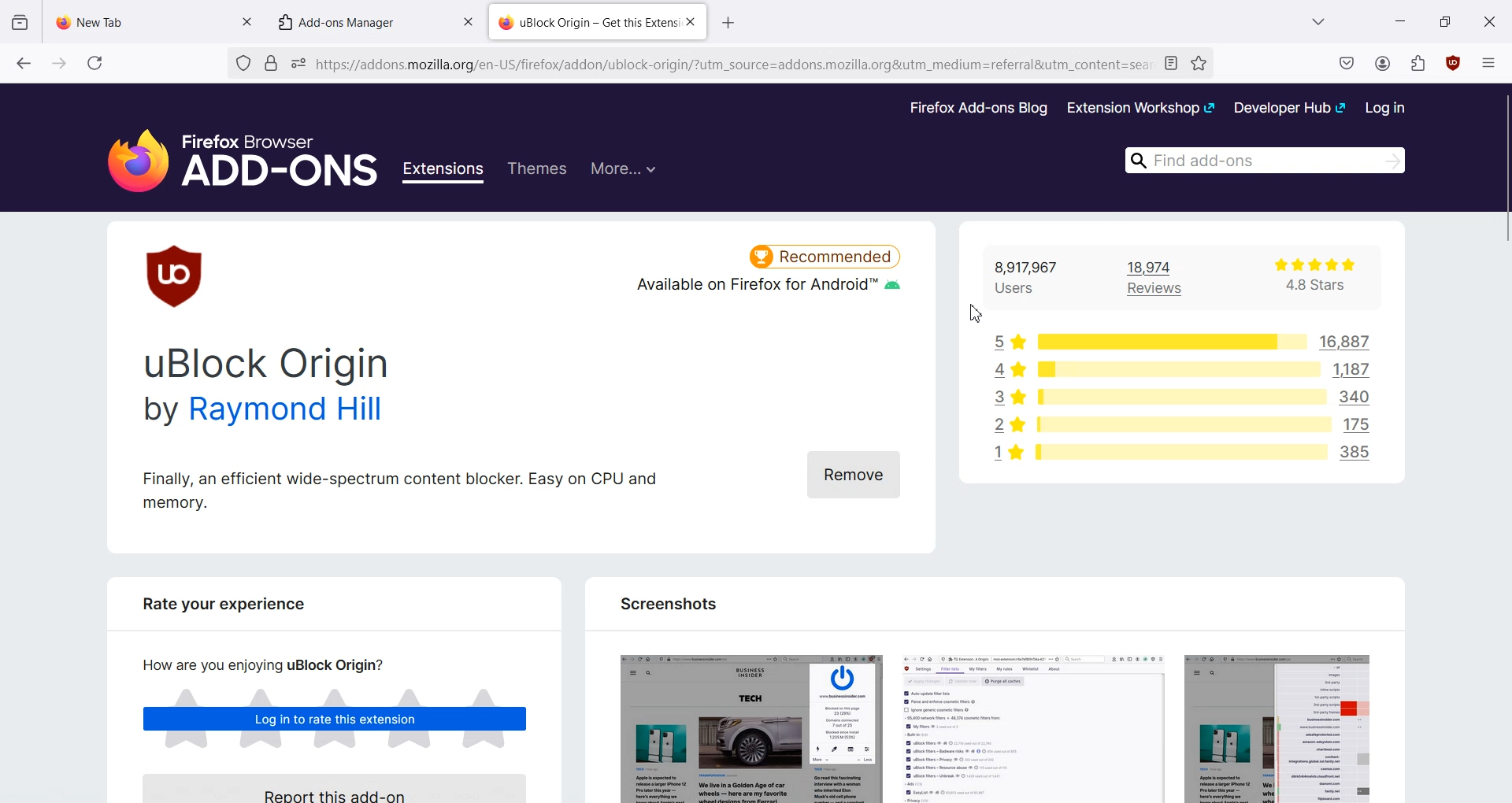  I want to click on Recommended, so click(825, 253).